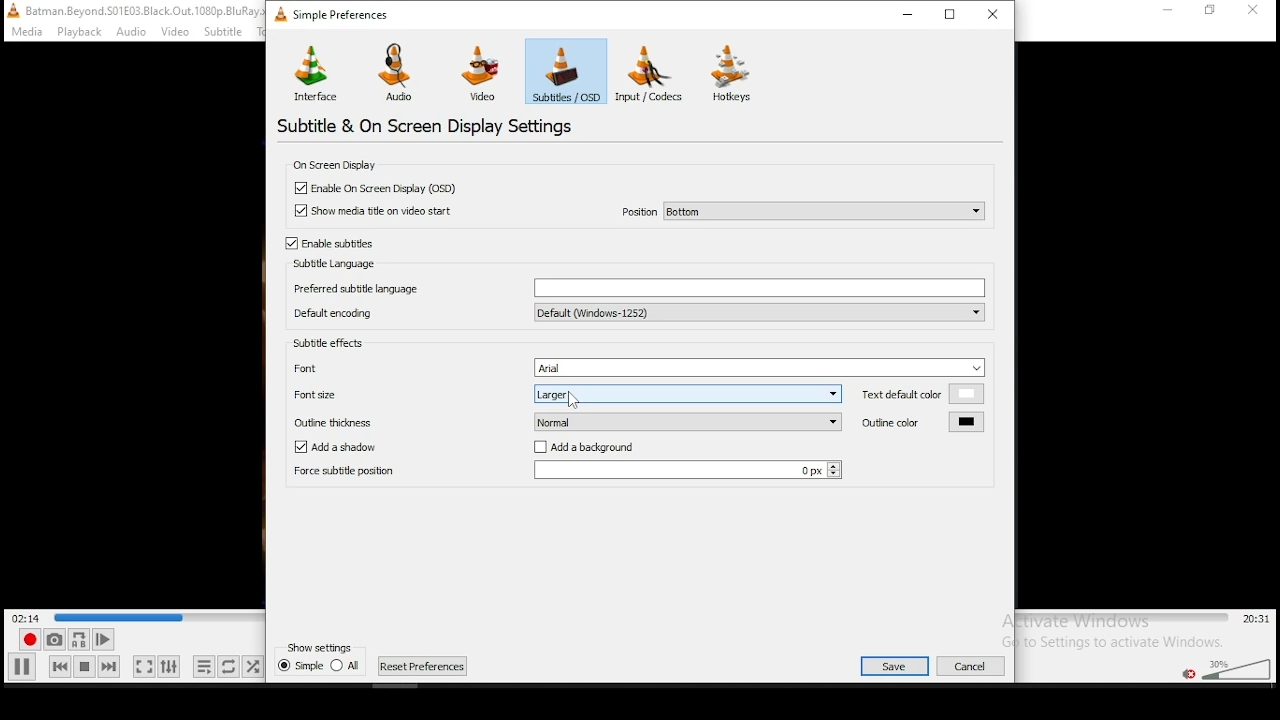 The image size is (1280, 720). Describe the element at coordinates (733, 73) in the screenshot. I see `hotkeys` at that location.